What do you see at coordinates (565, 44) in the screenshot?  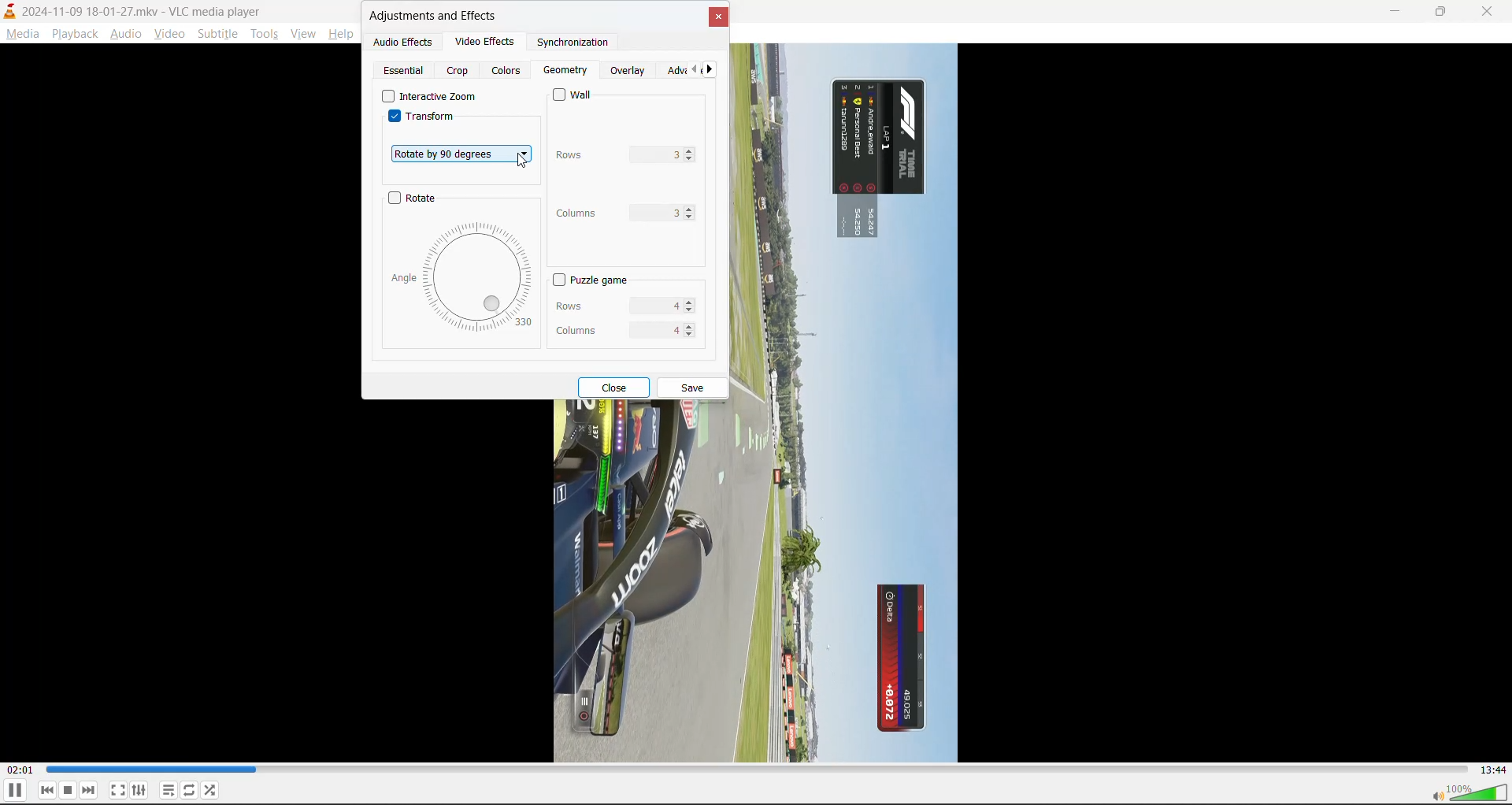 I see `synchronization` at bounding box center [565, 44].